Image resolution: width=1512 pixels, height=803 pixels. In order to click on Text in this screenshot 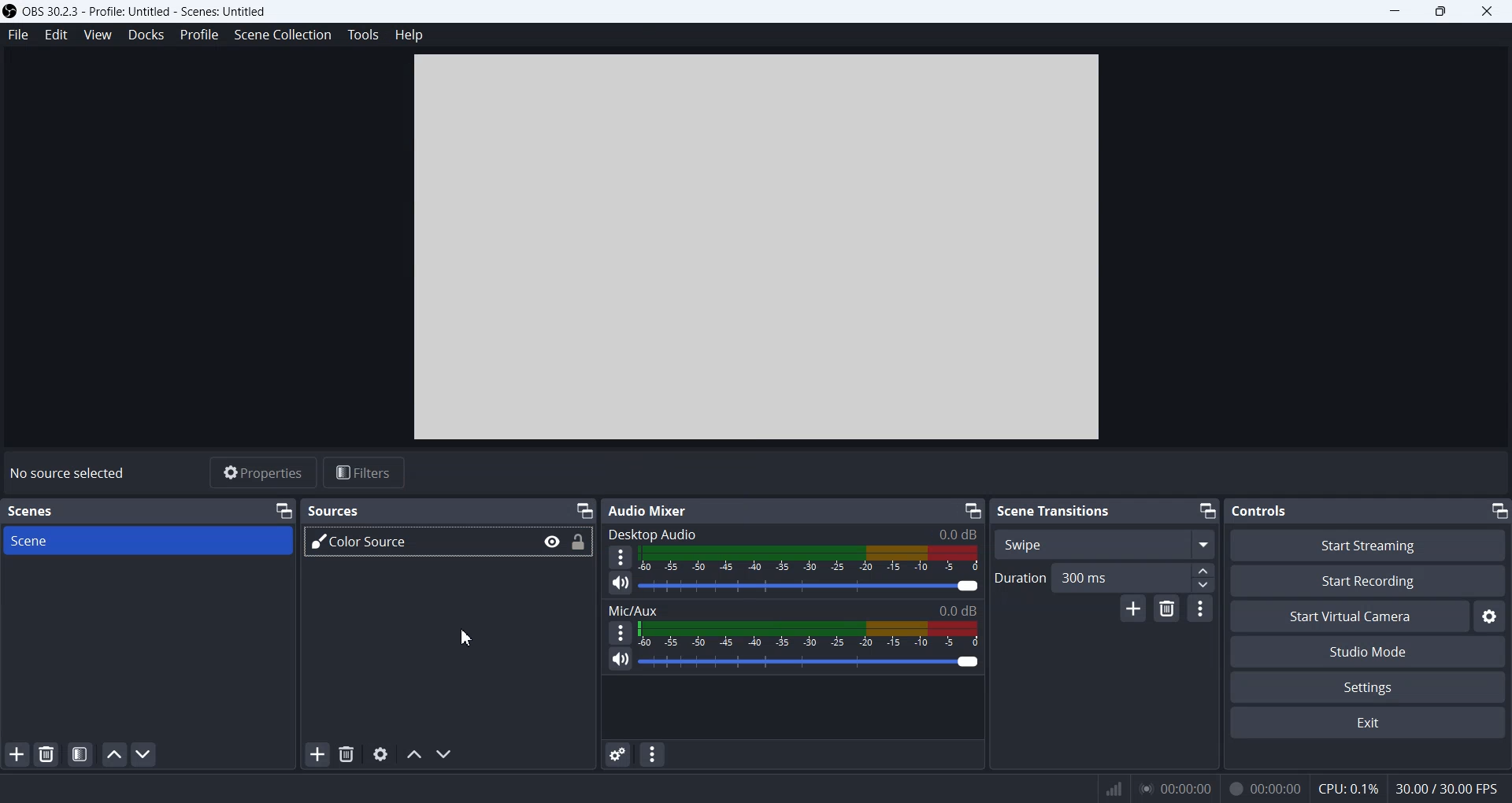, I will do `click(1262, 510)`.